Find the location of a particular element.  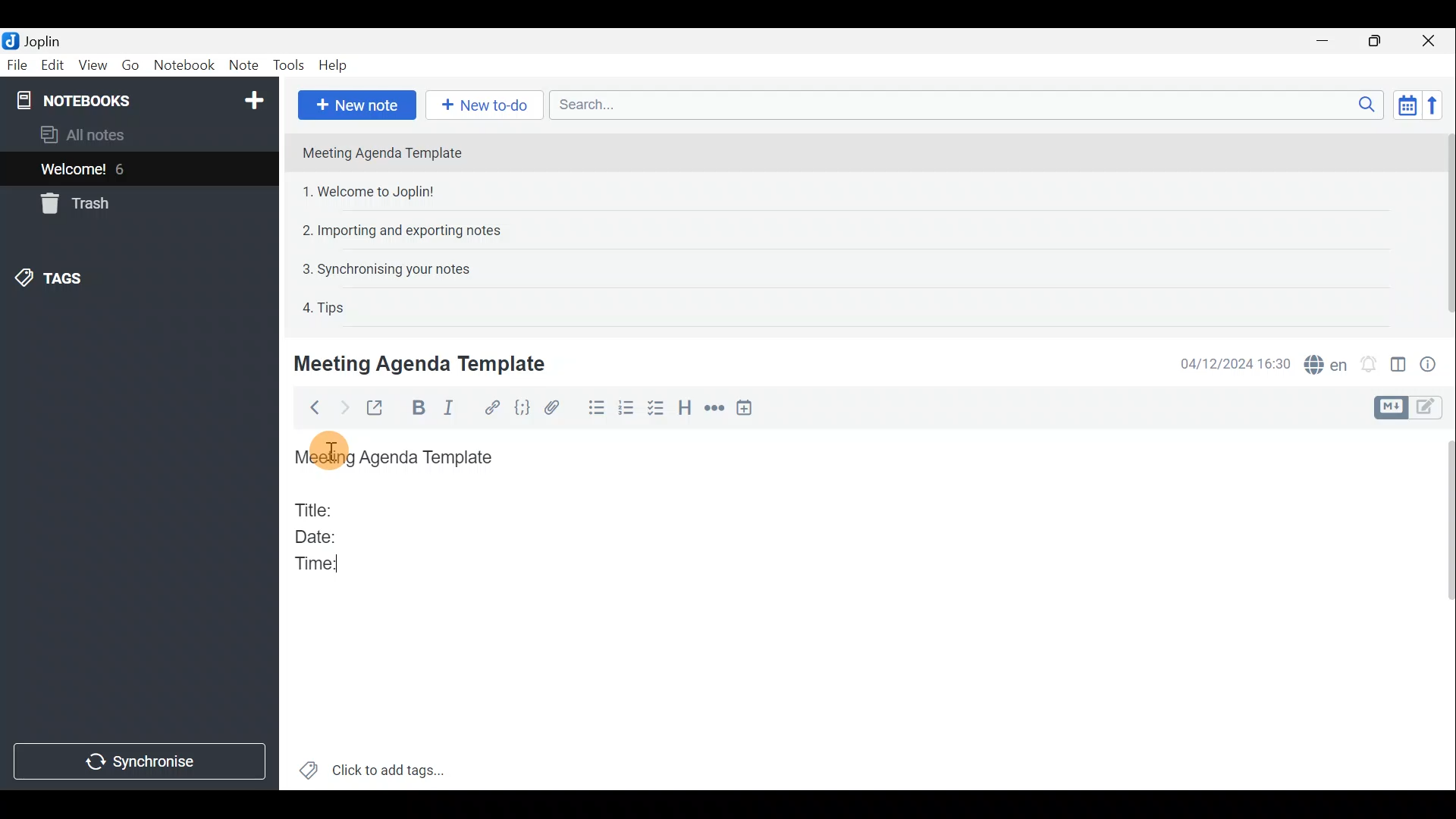

Minimise is located at coordinates (1325, 40).